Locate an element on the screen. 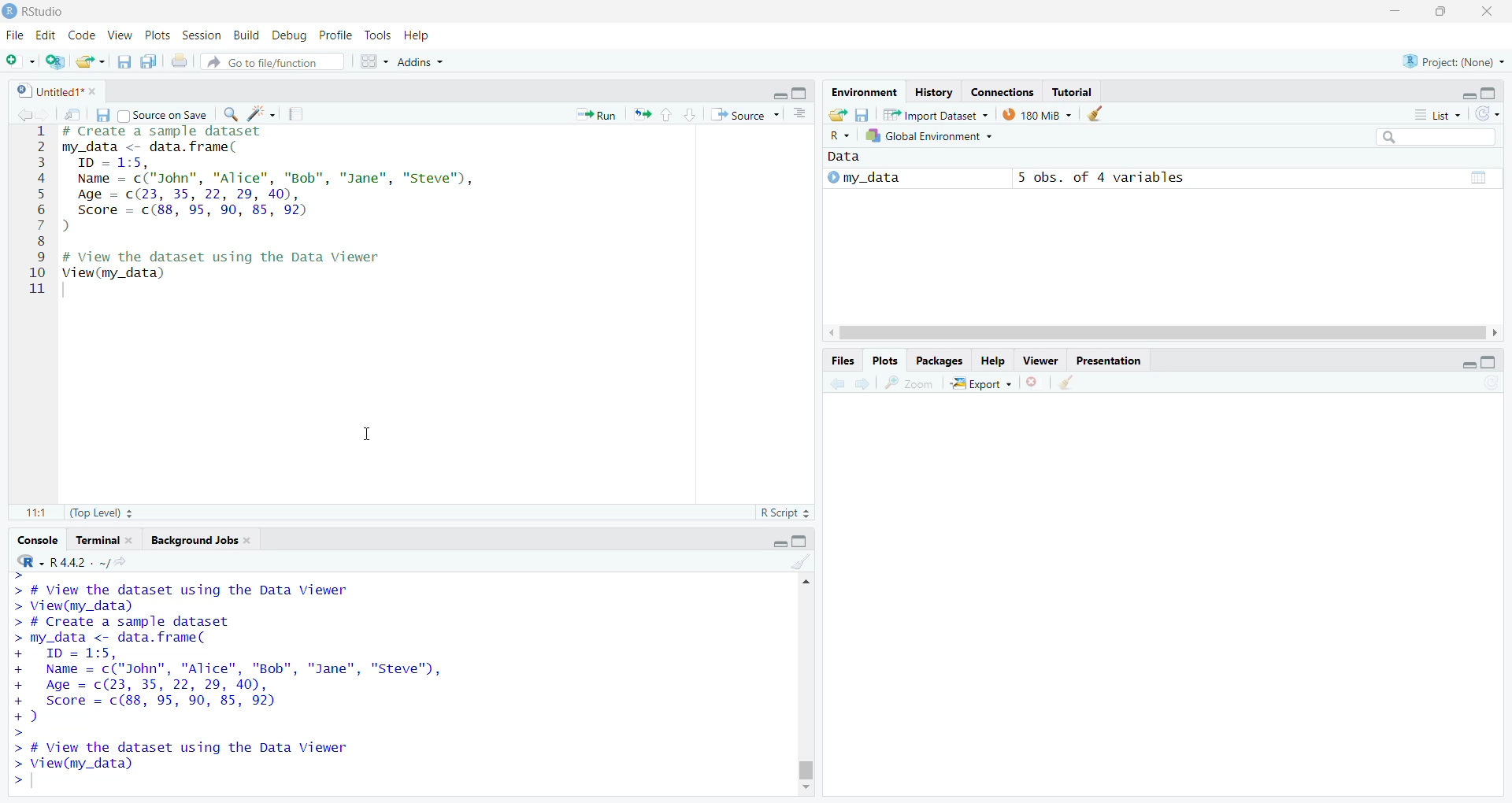 Image resolution: width=1512 pixels, height=803 pixels. Save workspace as is located at coordinates (864, 115).